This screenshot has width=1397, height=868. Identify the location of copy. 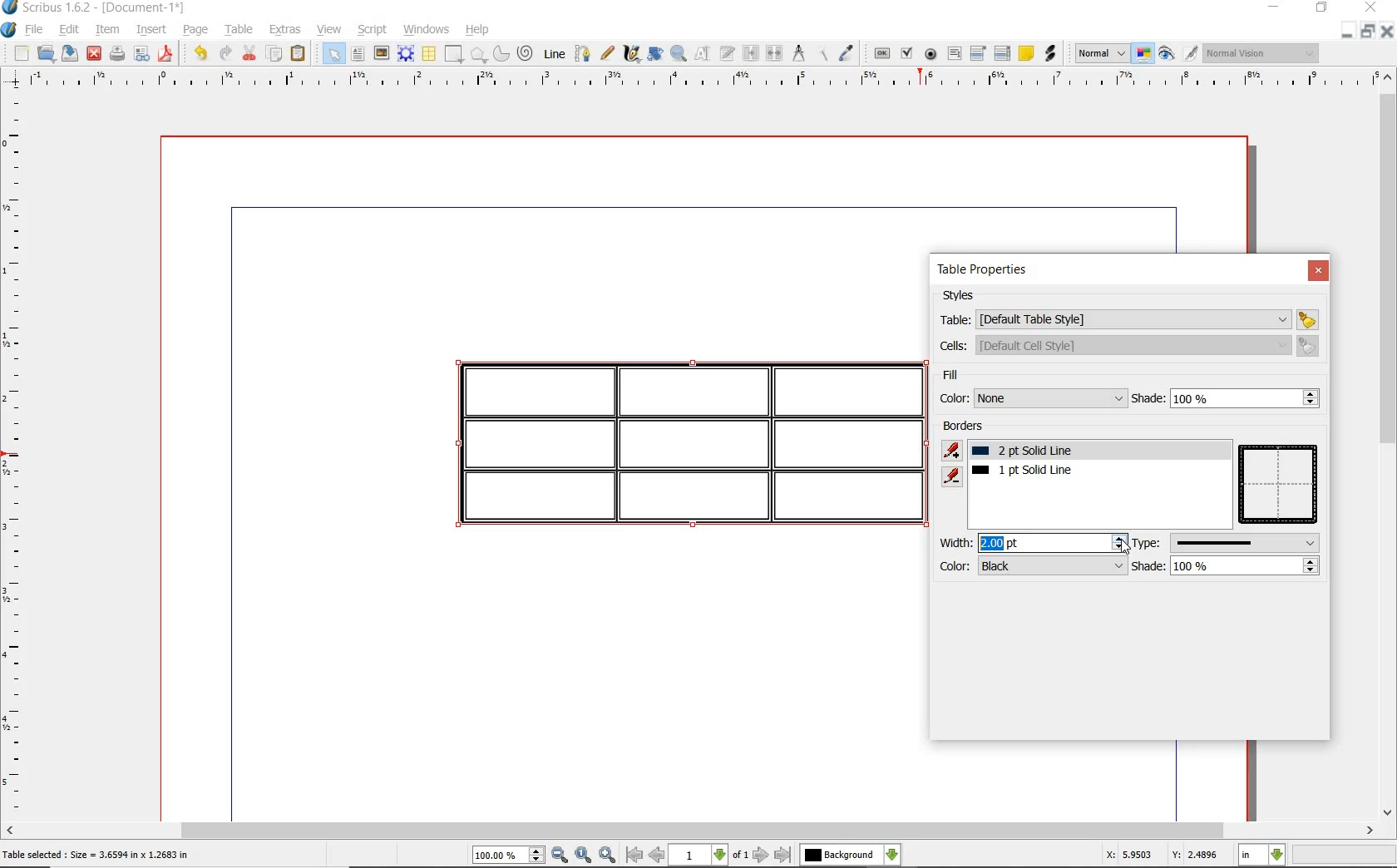
(274, 56).